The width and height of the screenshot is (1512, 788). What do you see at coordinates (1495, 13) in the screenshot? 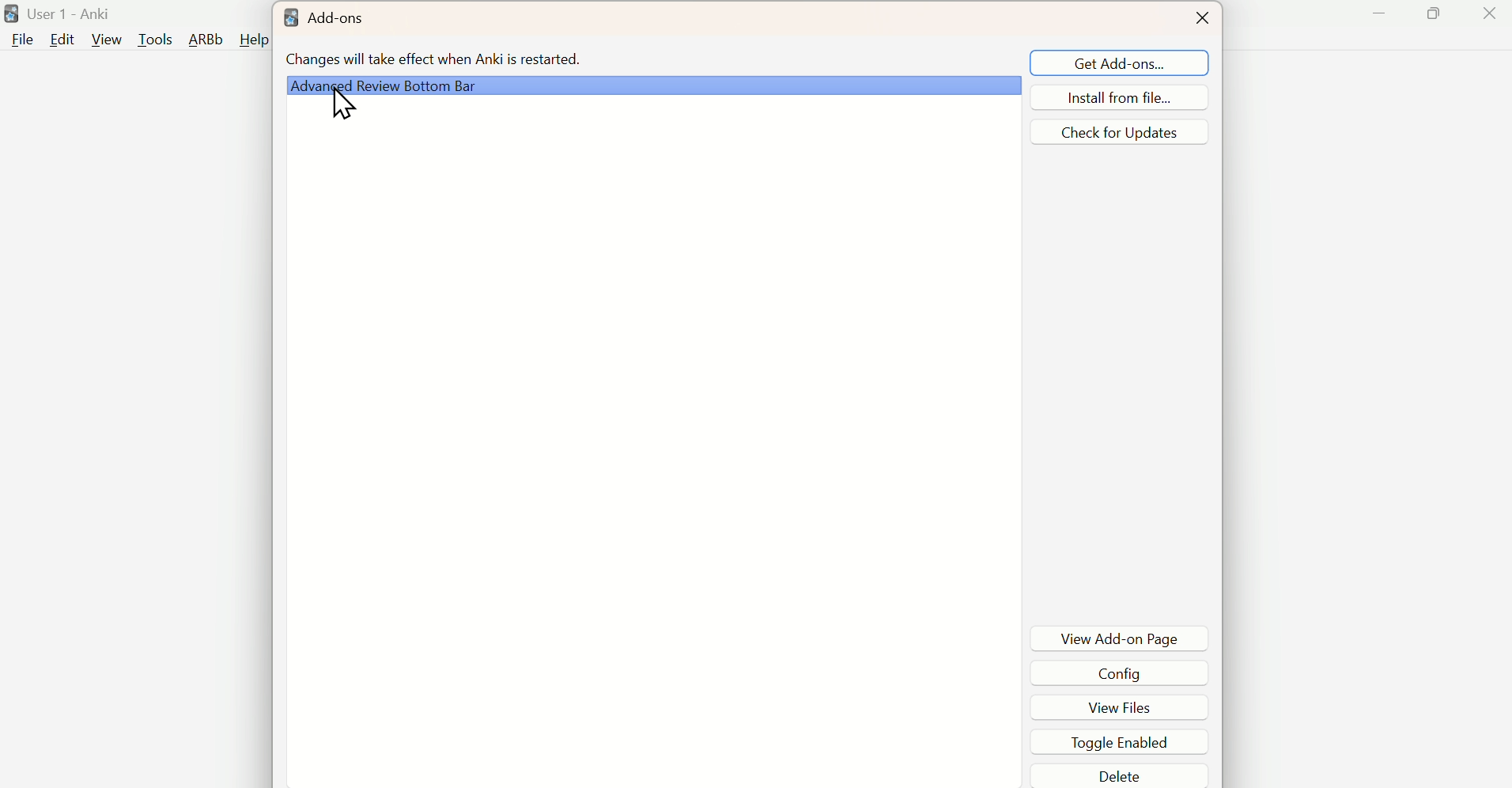
I see `Close` at bounding box center [1495, 13].